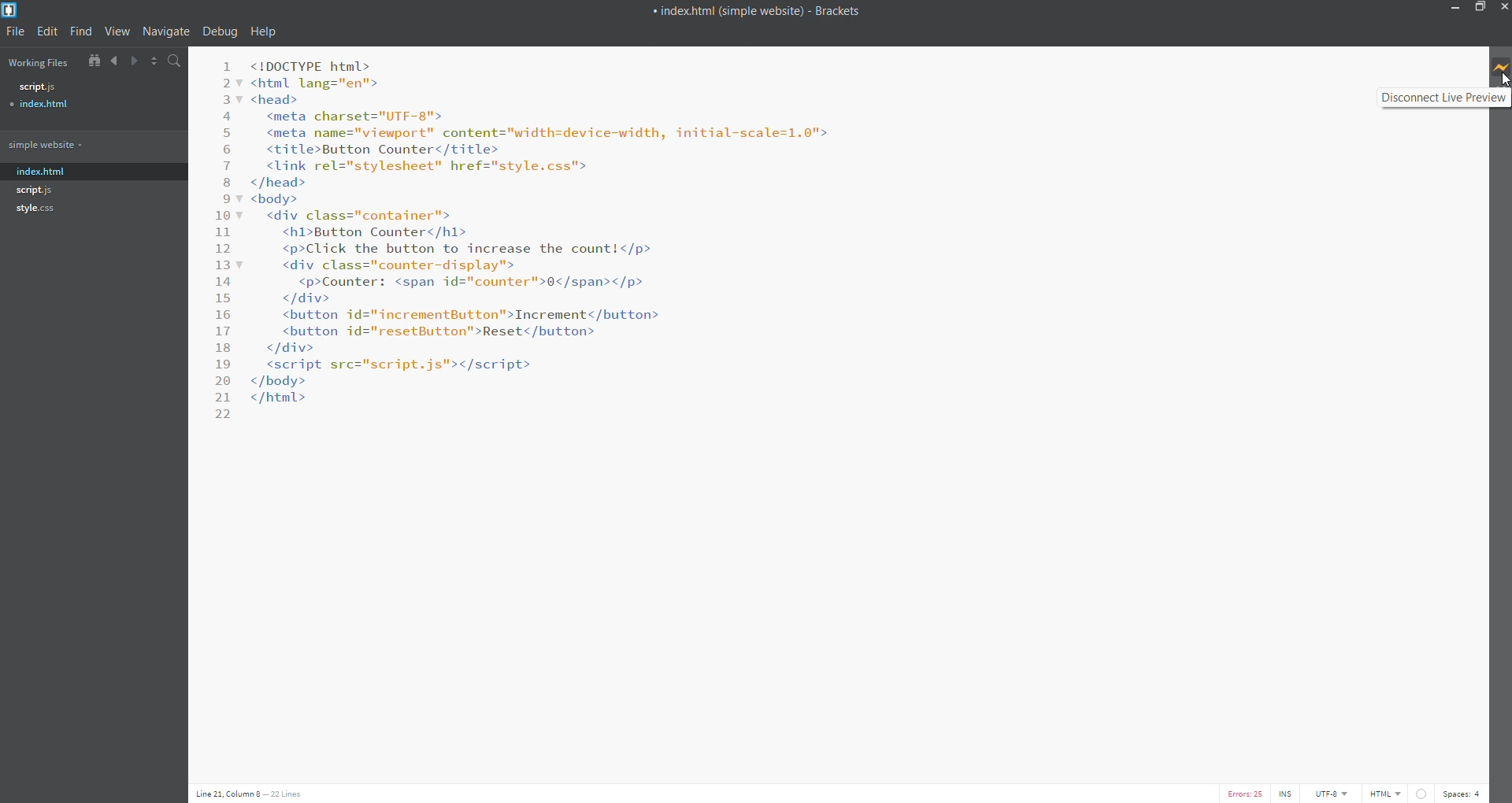 This screenshot has width=1512, height=803. Describe the element at coordinates (1421, 794) in the screenshot. I see `linter editor` at that location.